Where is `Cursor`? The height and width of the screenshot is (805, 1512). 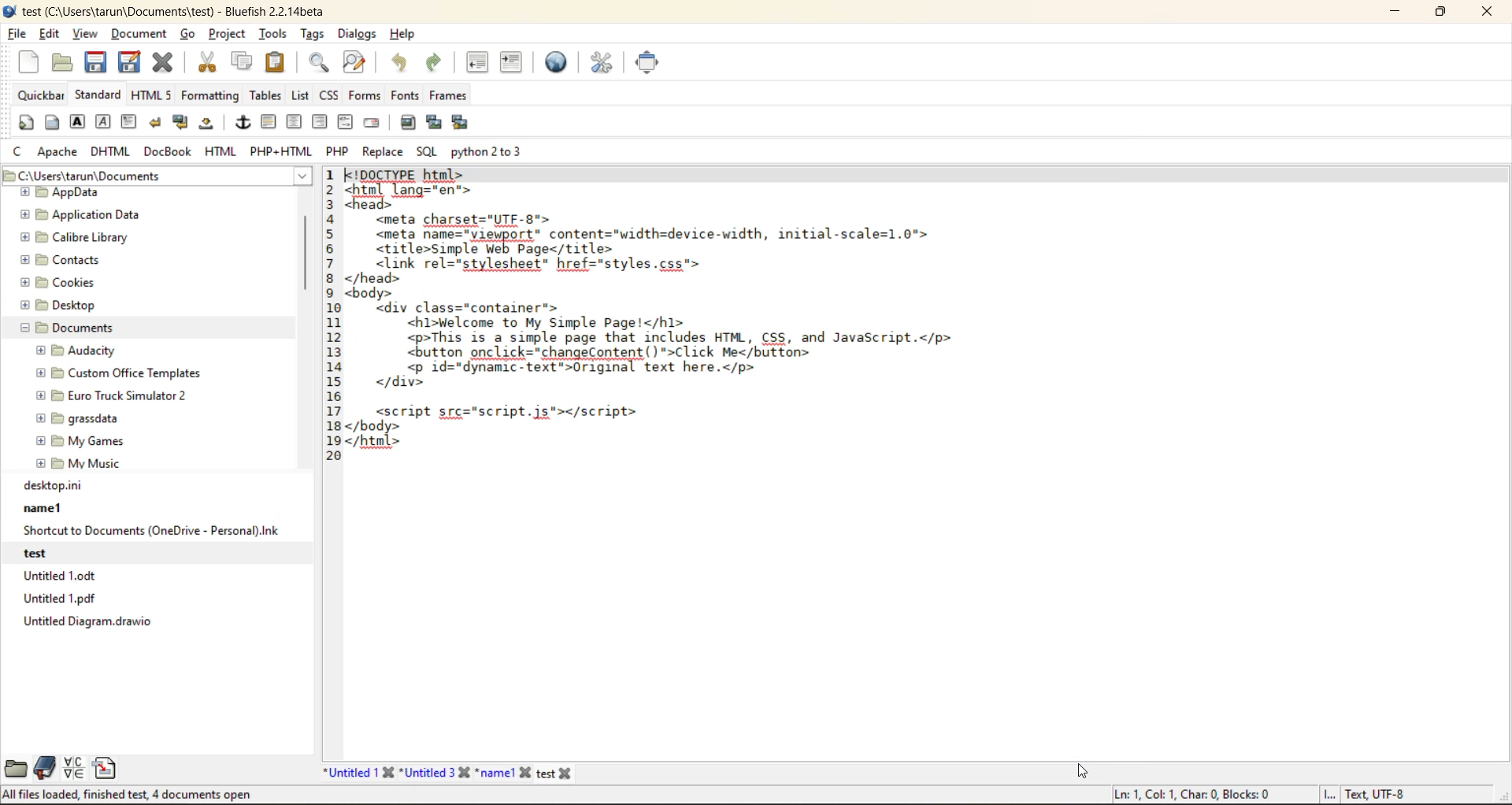
Cursor is located at coordinates (1082, 771).